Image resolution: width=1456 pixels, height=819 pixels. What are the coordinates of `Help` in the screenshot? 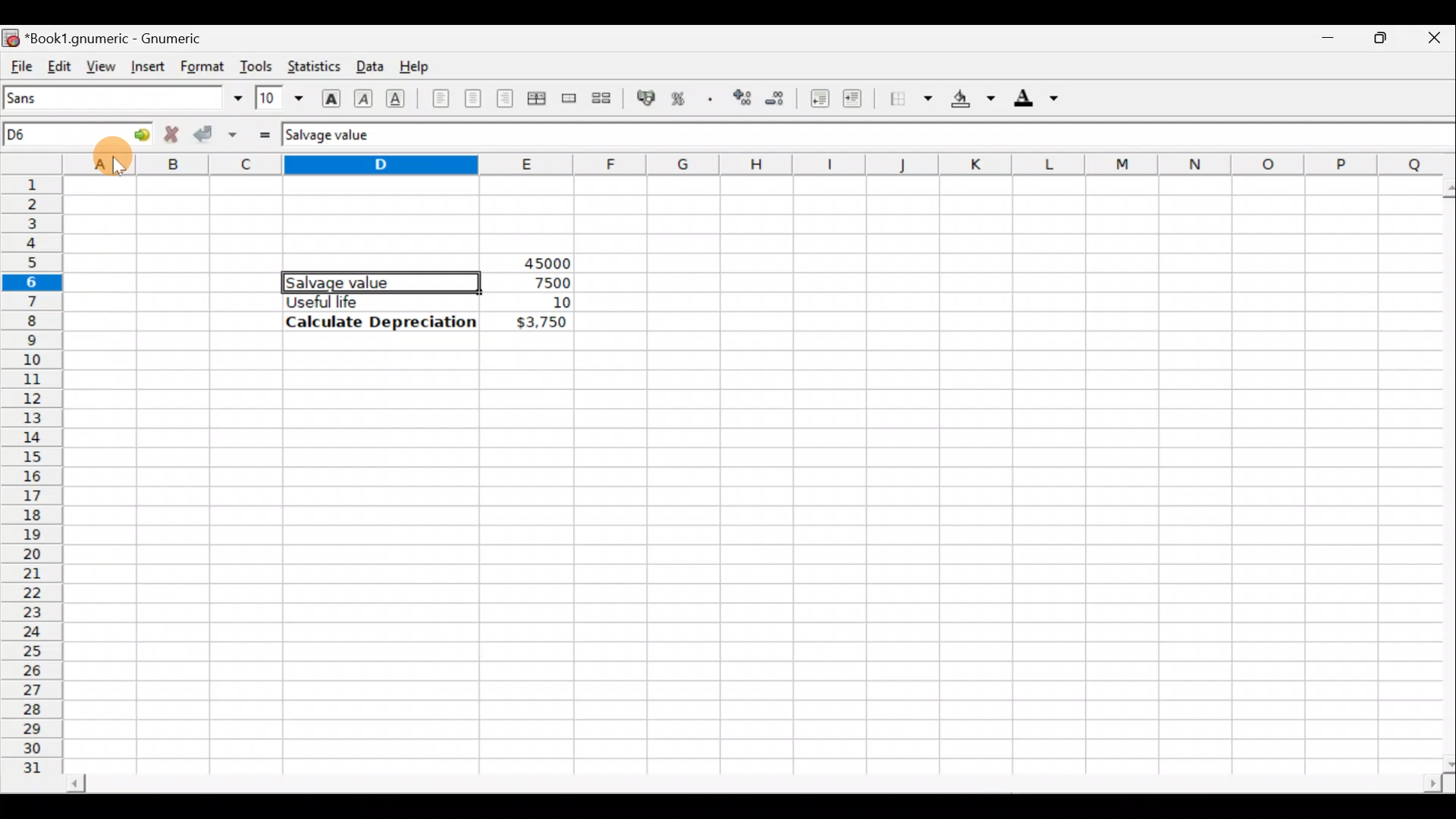 It's located at (419, 67).